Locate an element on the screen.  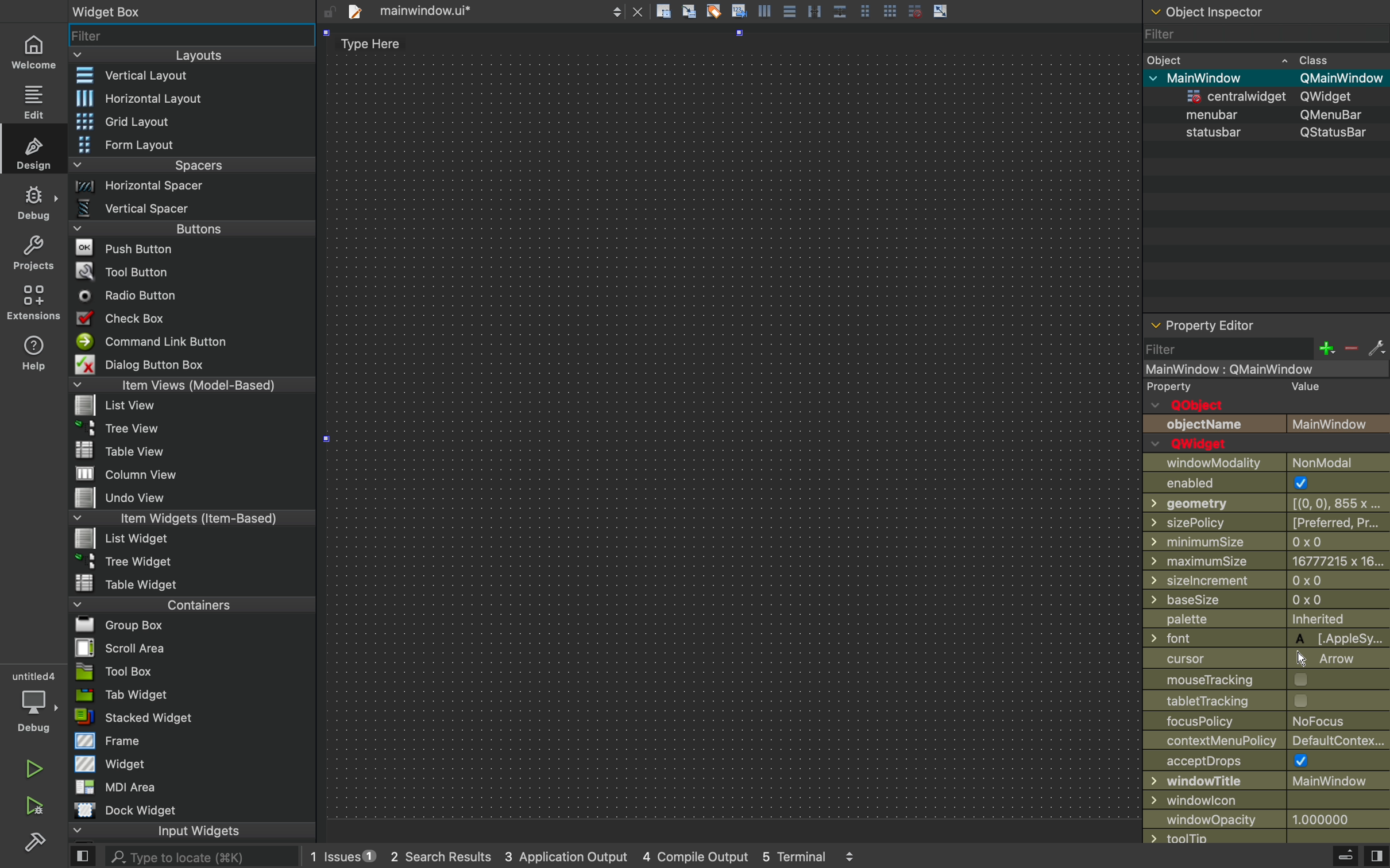
dock widget is located at coordinates (186, 809).